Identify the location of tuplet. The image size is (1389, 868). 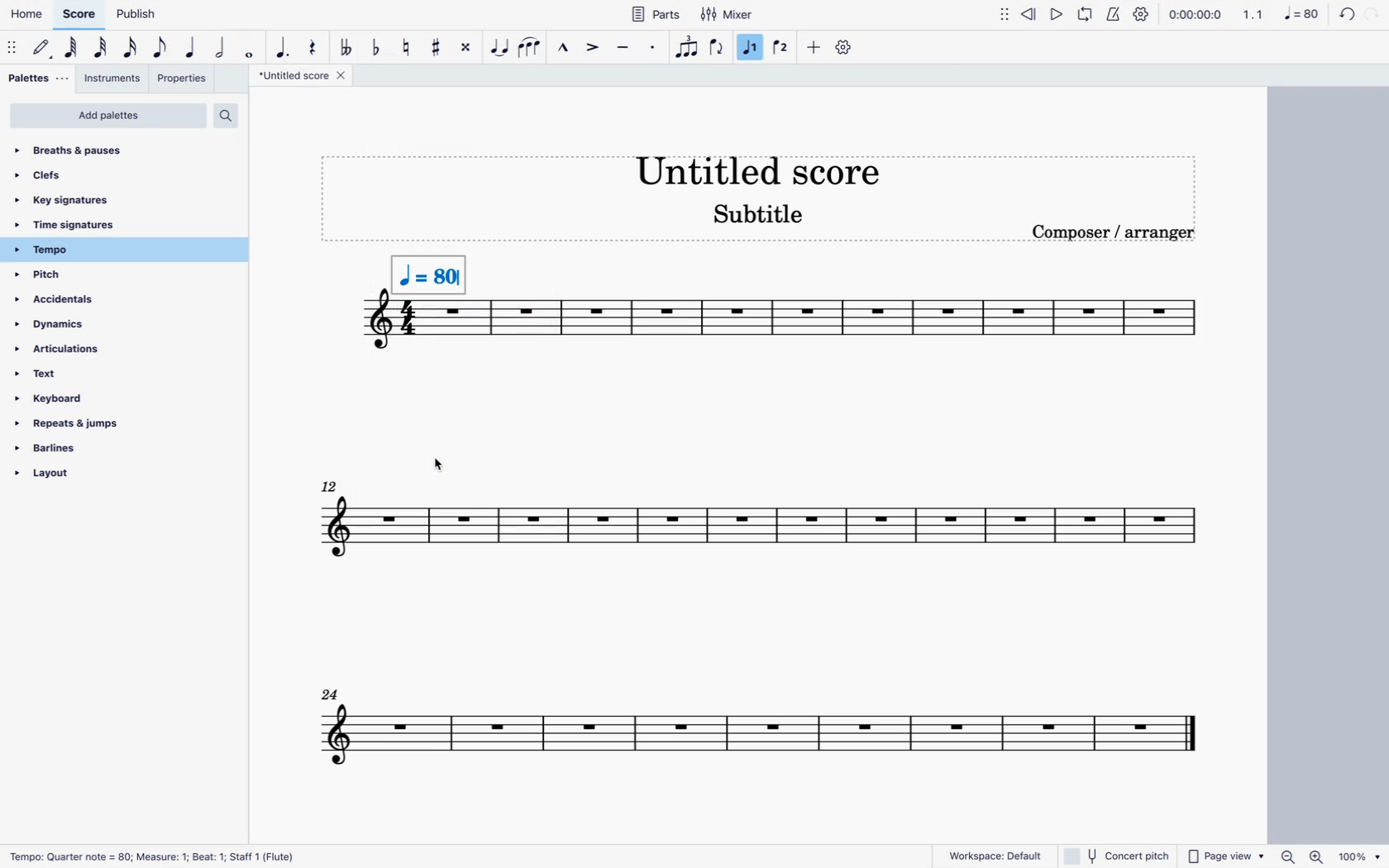
(686, 51).